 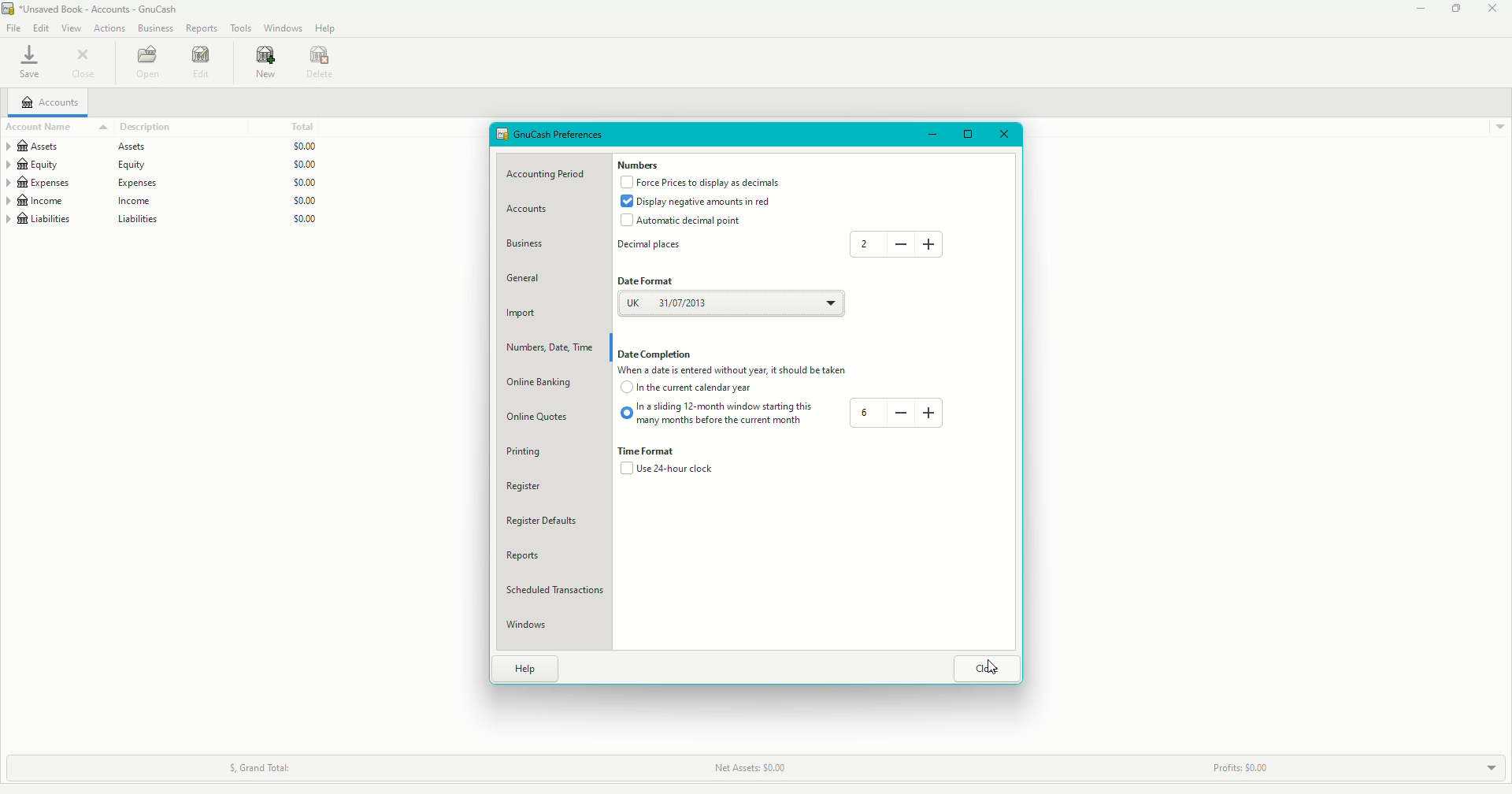 What do you see at coordinates (308, 128) in the screenshot?
I see `Total` at bounding box center [308, 128].